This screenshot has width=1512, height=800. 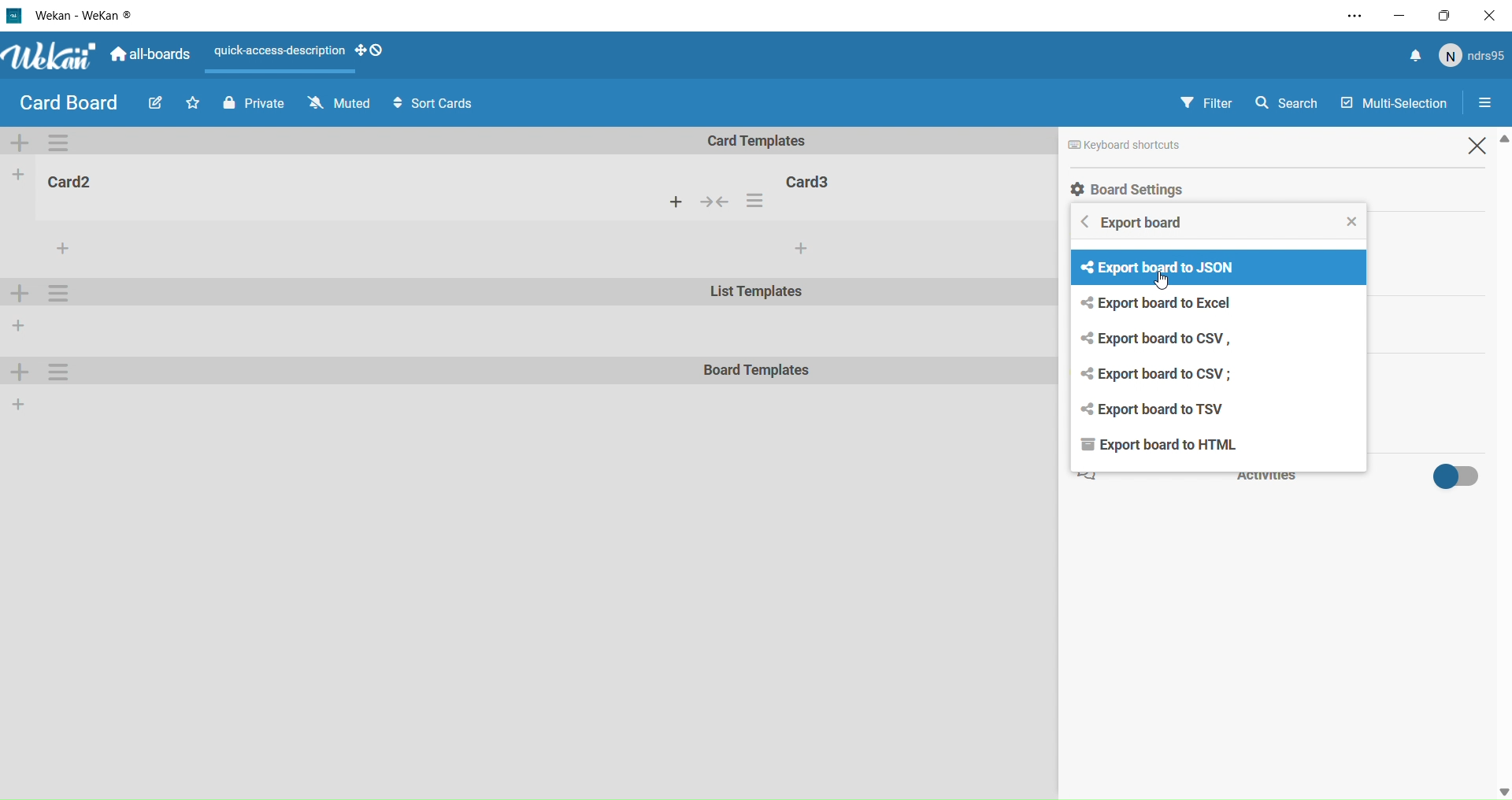 What do you see at coordinates (153, 106) in the screenshot?
I see `edit` at bounding box center [153, 106].